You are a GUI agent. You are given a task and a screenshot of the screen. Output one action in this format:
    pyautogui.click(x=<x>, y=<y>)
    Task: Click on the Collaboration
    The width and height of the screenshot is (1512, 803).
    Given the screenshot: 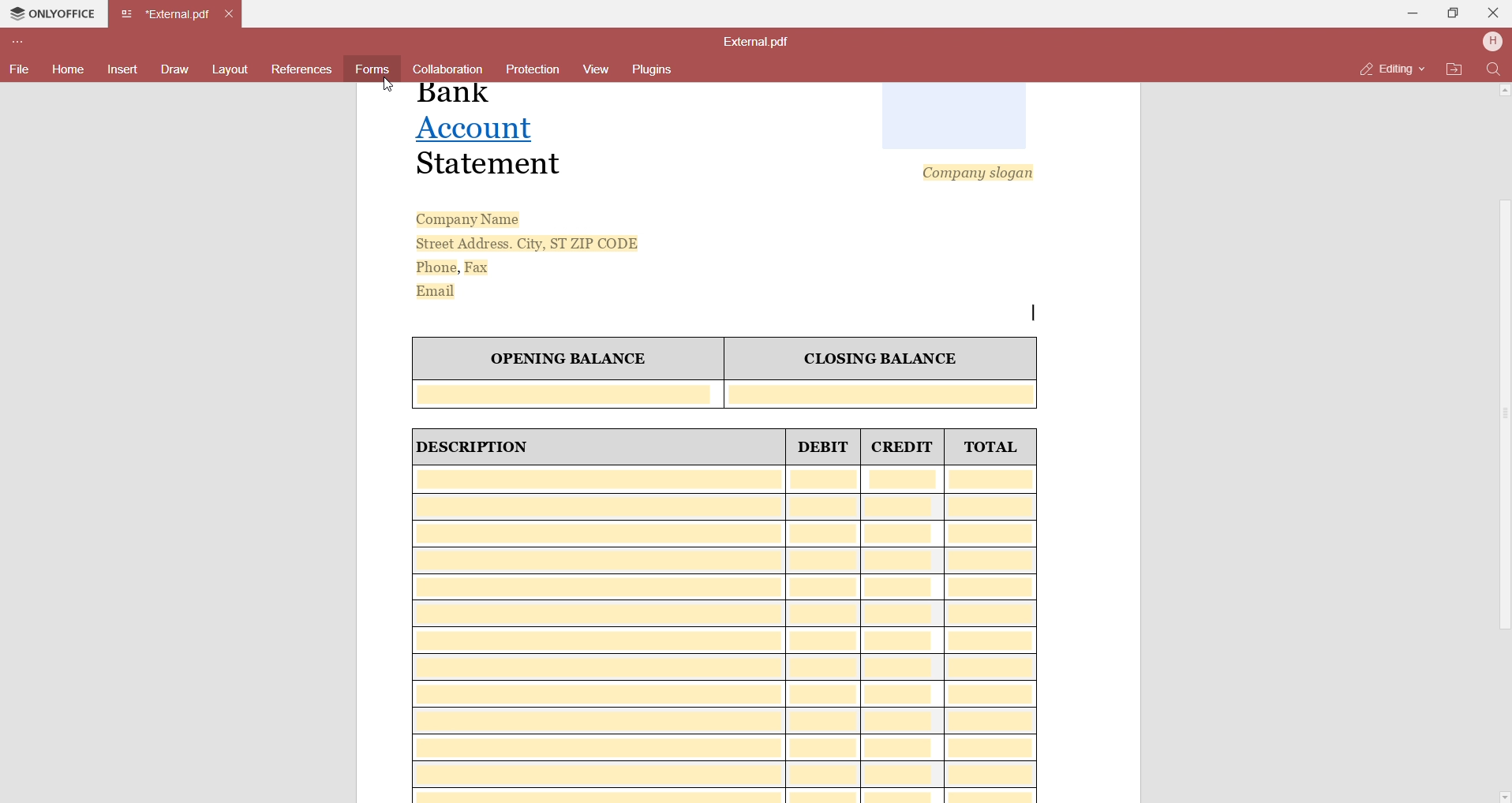 What is the action you would take?
    pyautogui.click(x=452, y=69)
    